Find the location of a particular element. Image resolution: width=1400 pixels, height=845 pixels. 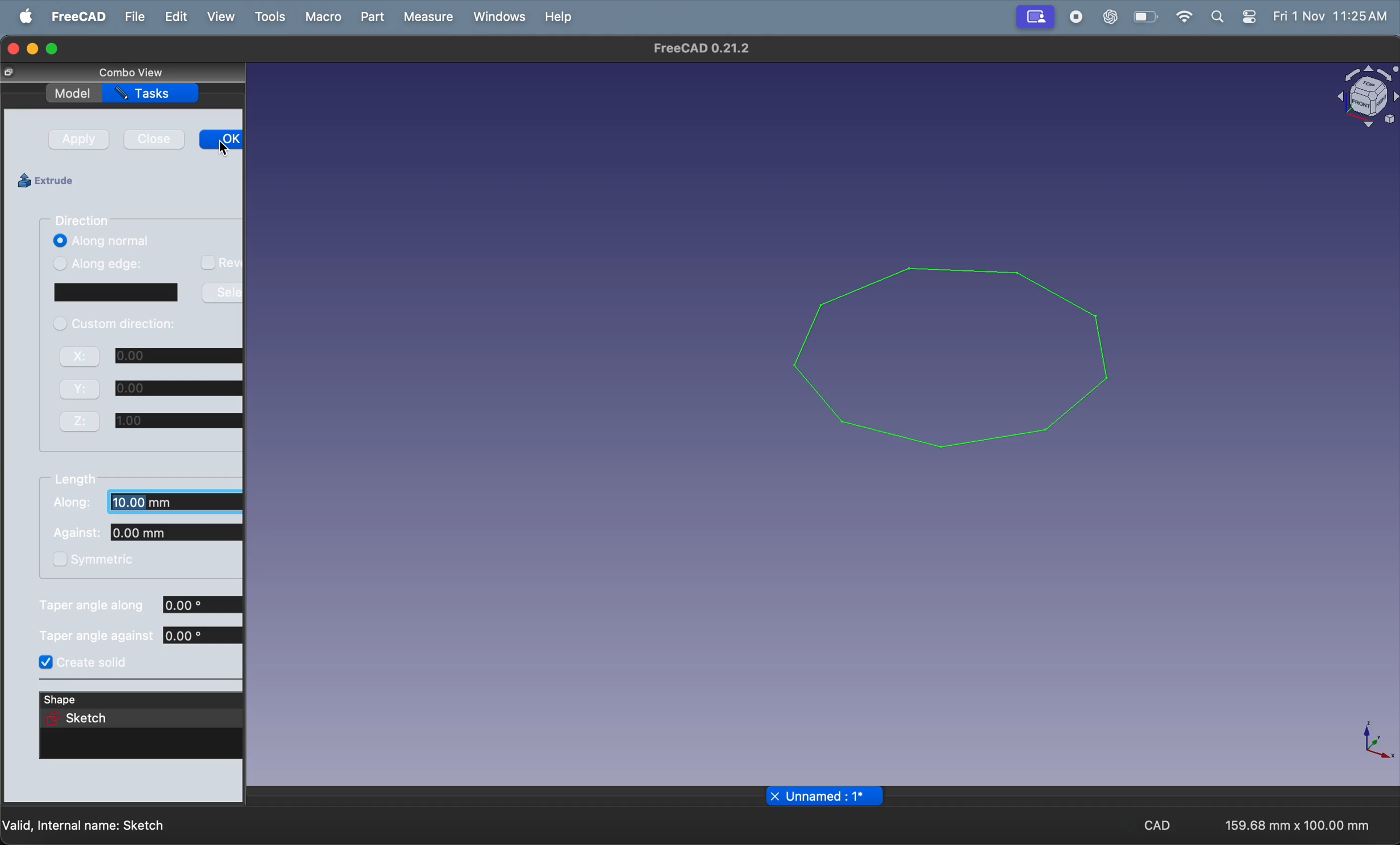

apply is located at coordinates (80, 139).